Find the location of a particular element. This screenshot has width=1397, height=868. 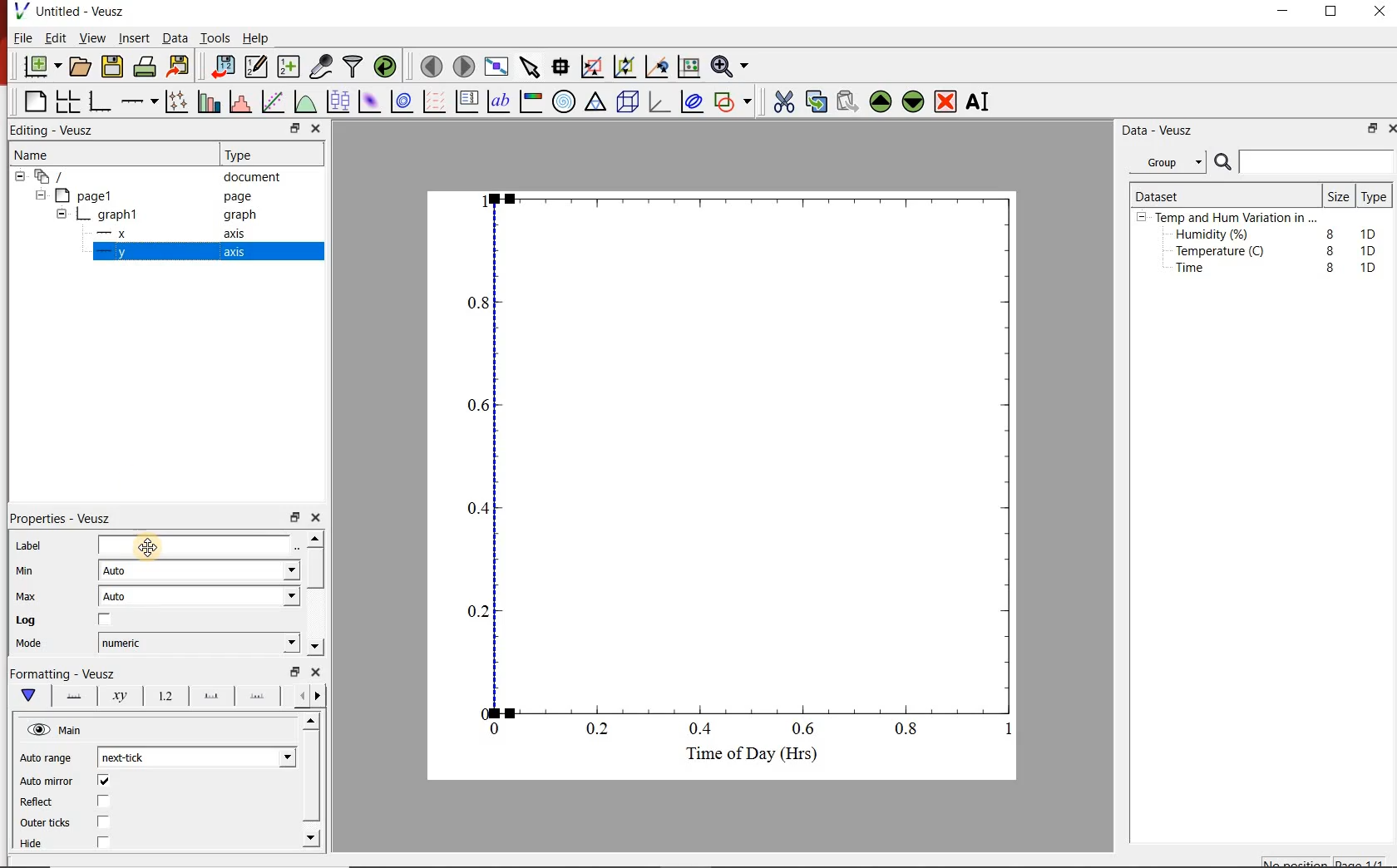

plot a vector field is located at coordinates (435, 101).